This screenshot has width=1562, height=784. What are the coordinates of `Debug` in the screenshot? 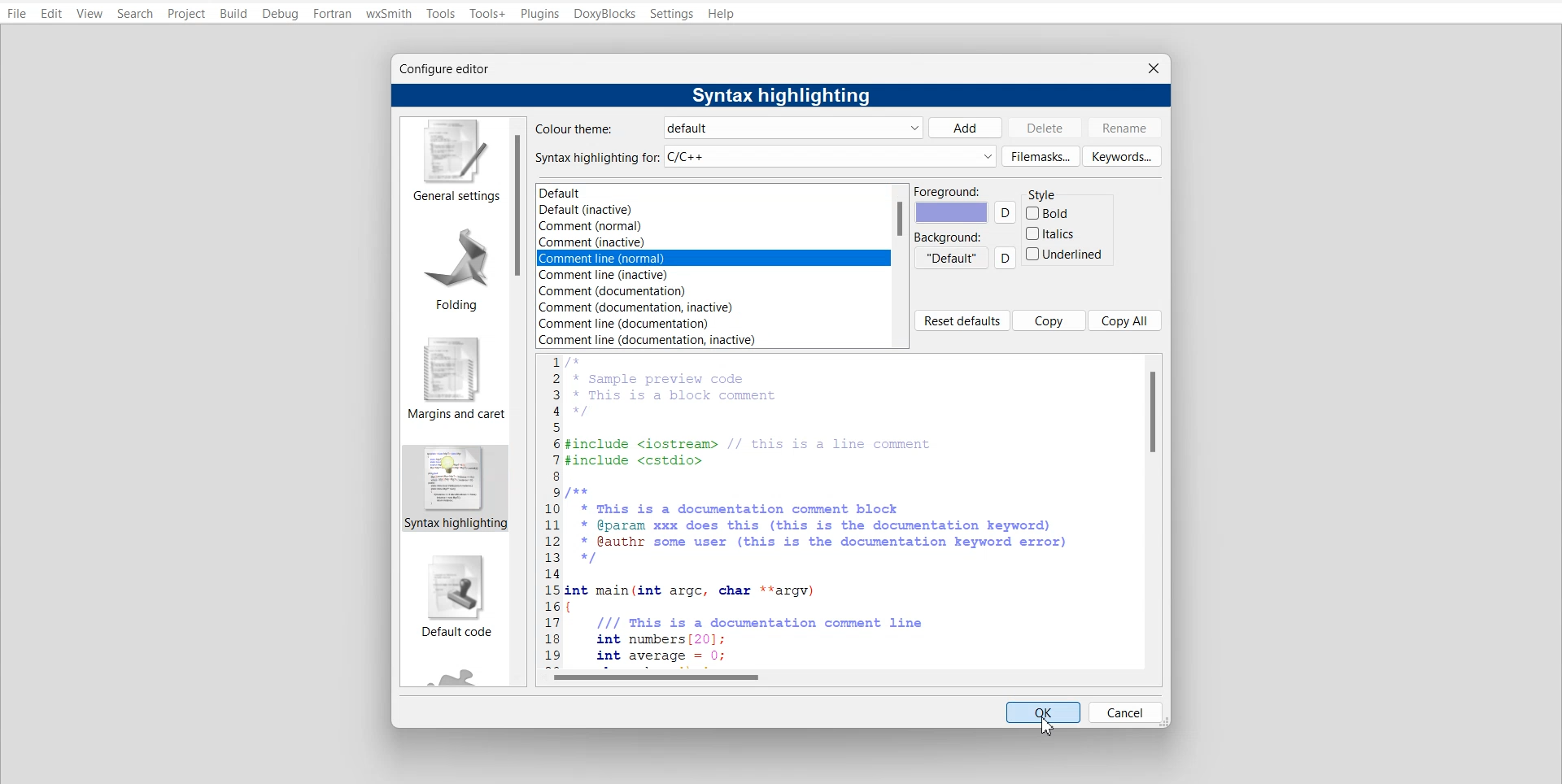 It's located at (281, 14).